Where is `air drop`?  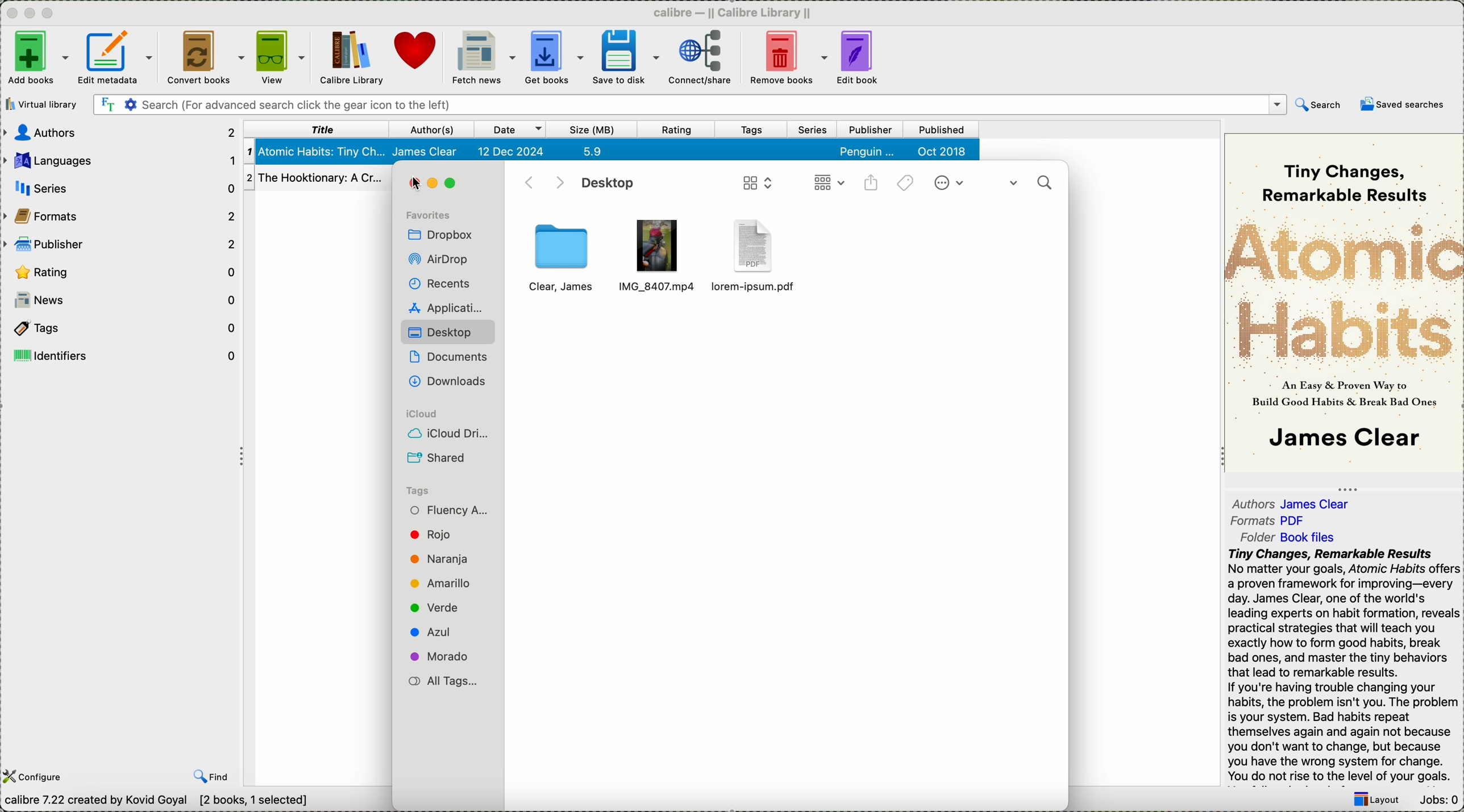 air drop is located at coordinates (444, 256).